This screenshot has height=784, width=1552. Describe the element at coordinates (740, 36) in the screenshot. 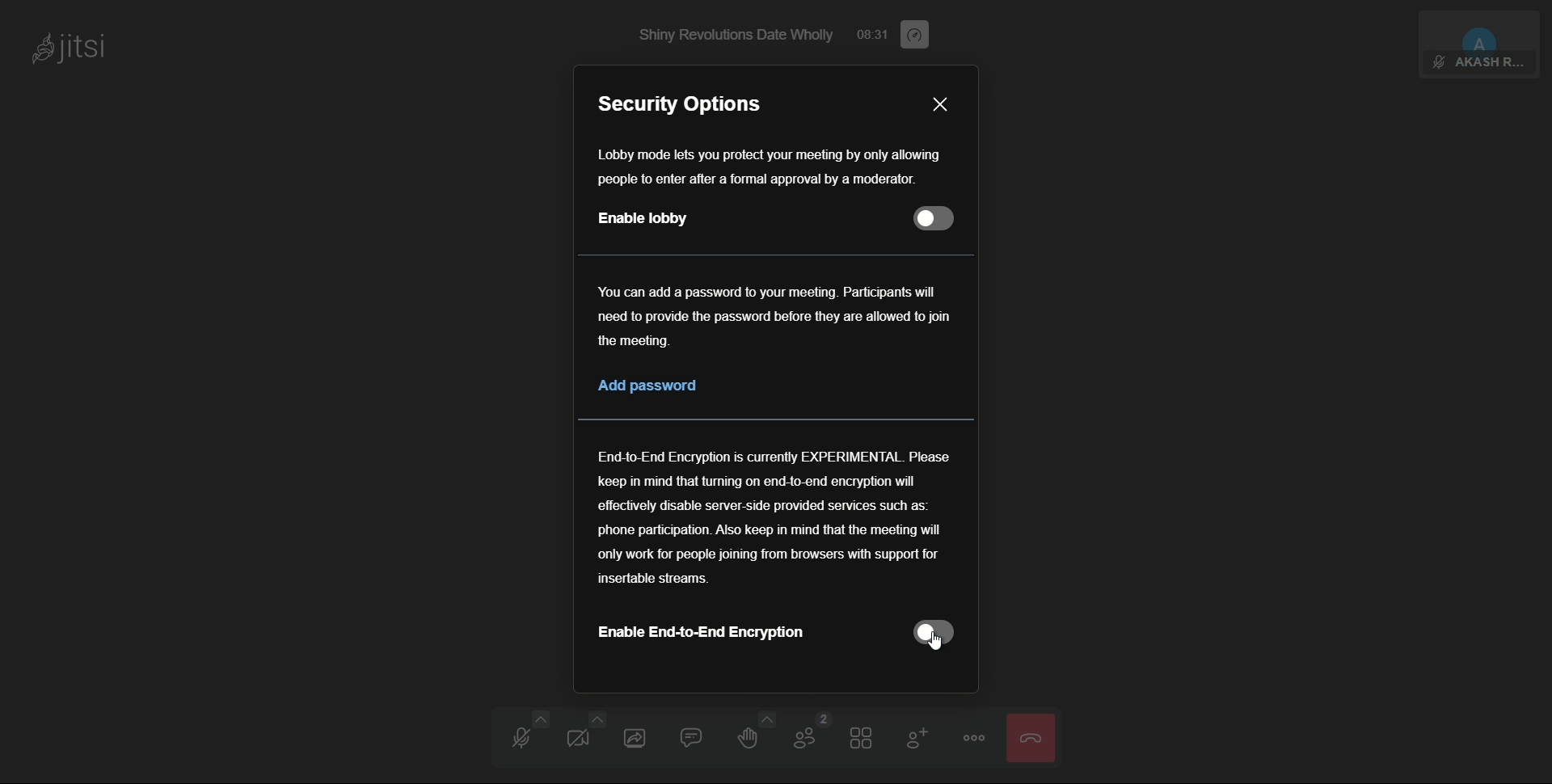

I see `shiny revolutions date wholly` at that location.